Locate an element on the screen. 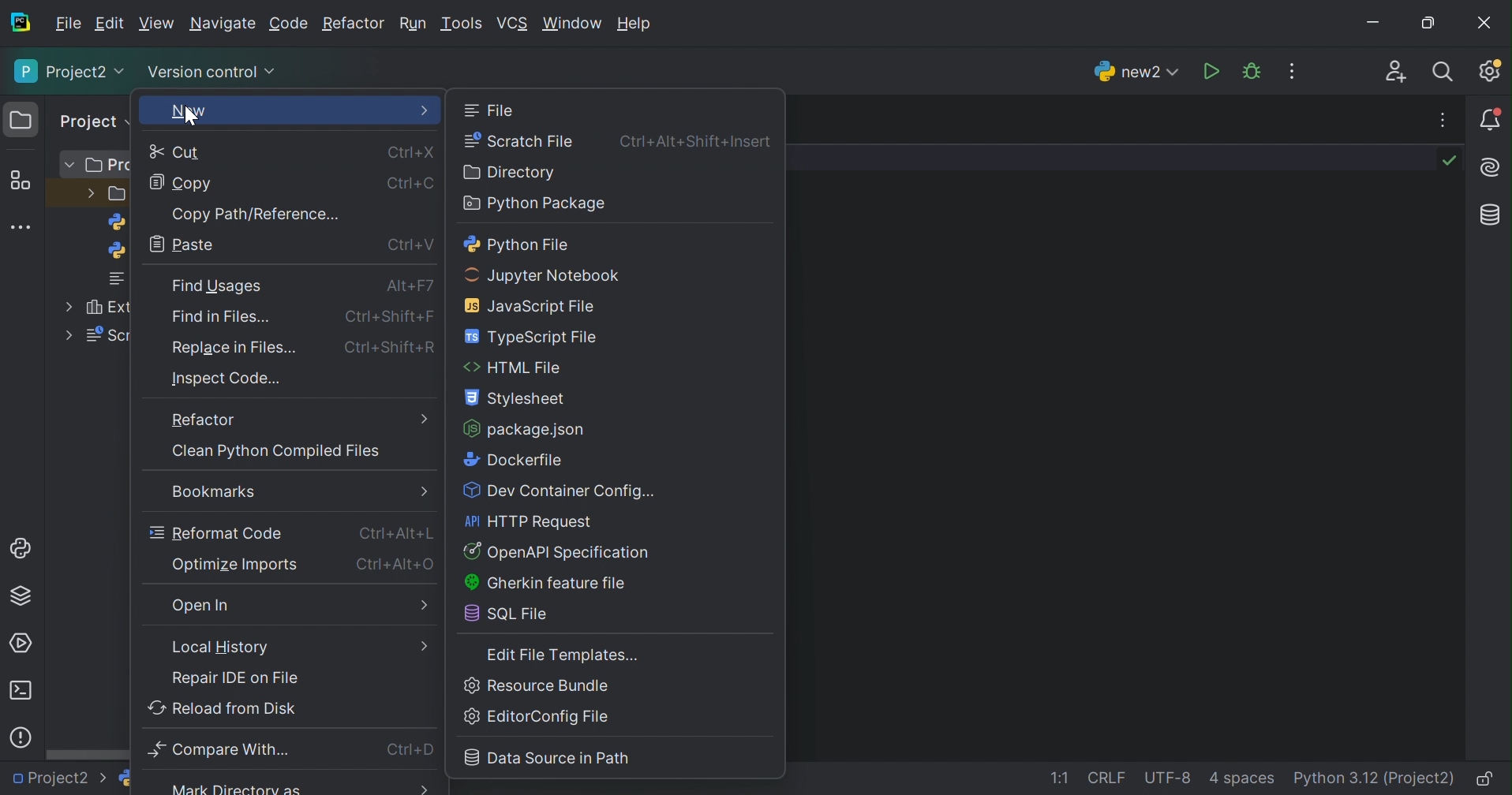  SQL file is located at coordinates (506, 612).